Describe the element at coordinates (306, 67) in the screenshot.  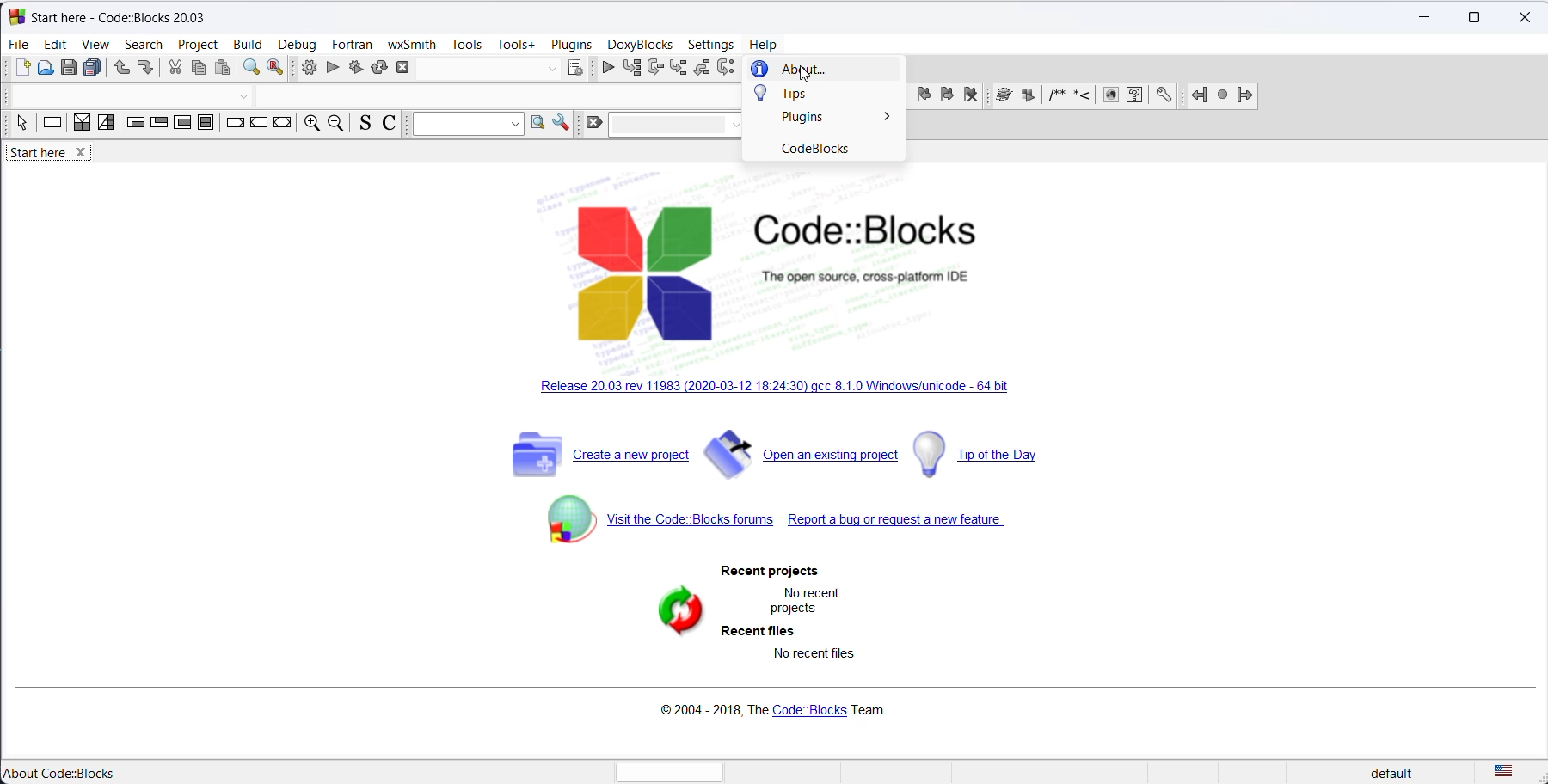
I see `build` at that location.